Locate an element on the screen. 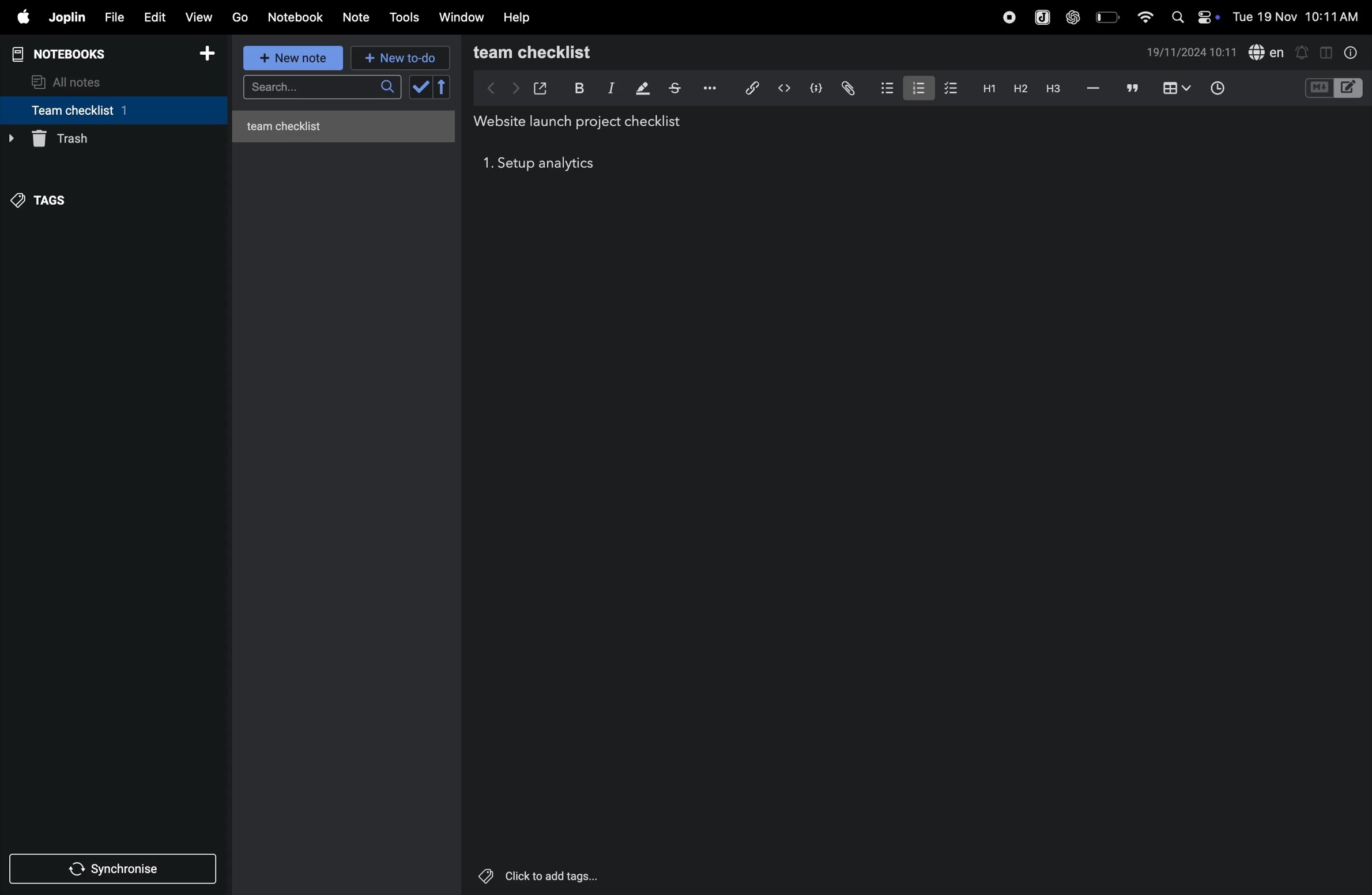  numbered list is located at coordinates (916, 87).